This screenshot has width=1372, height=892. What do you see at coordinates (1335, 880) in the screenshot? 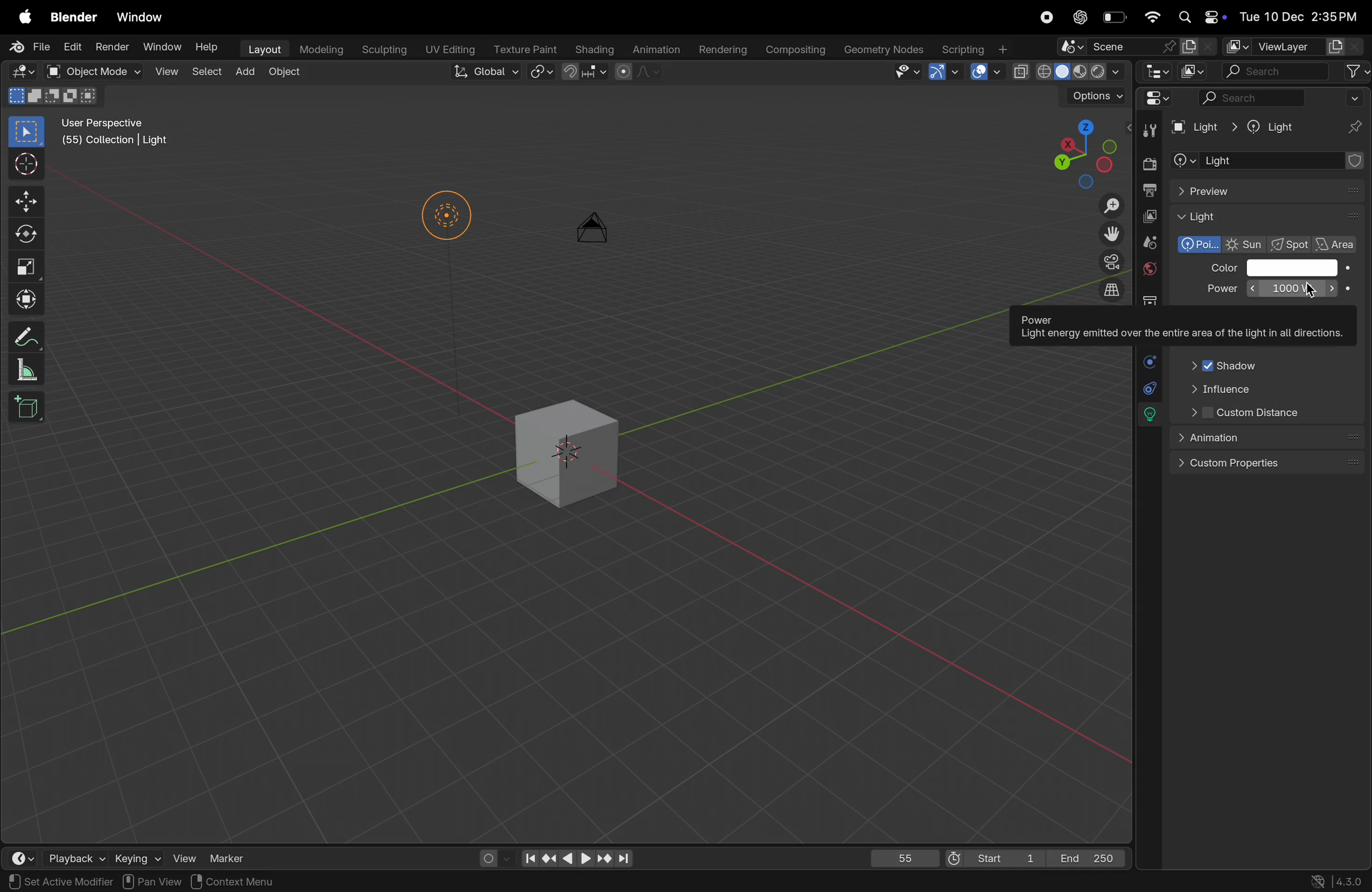
I see `versions` at bounding box center [1335, 880].